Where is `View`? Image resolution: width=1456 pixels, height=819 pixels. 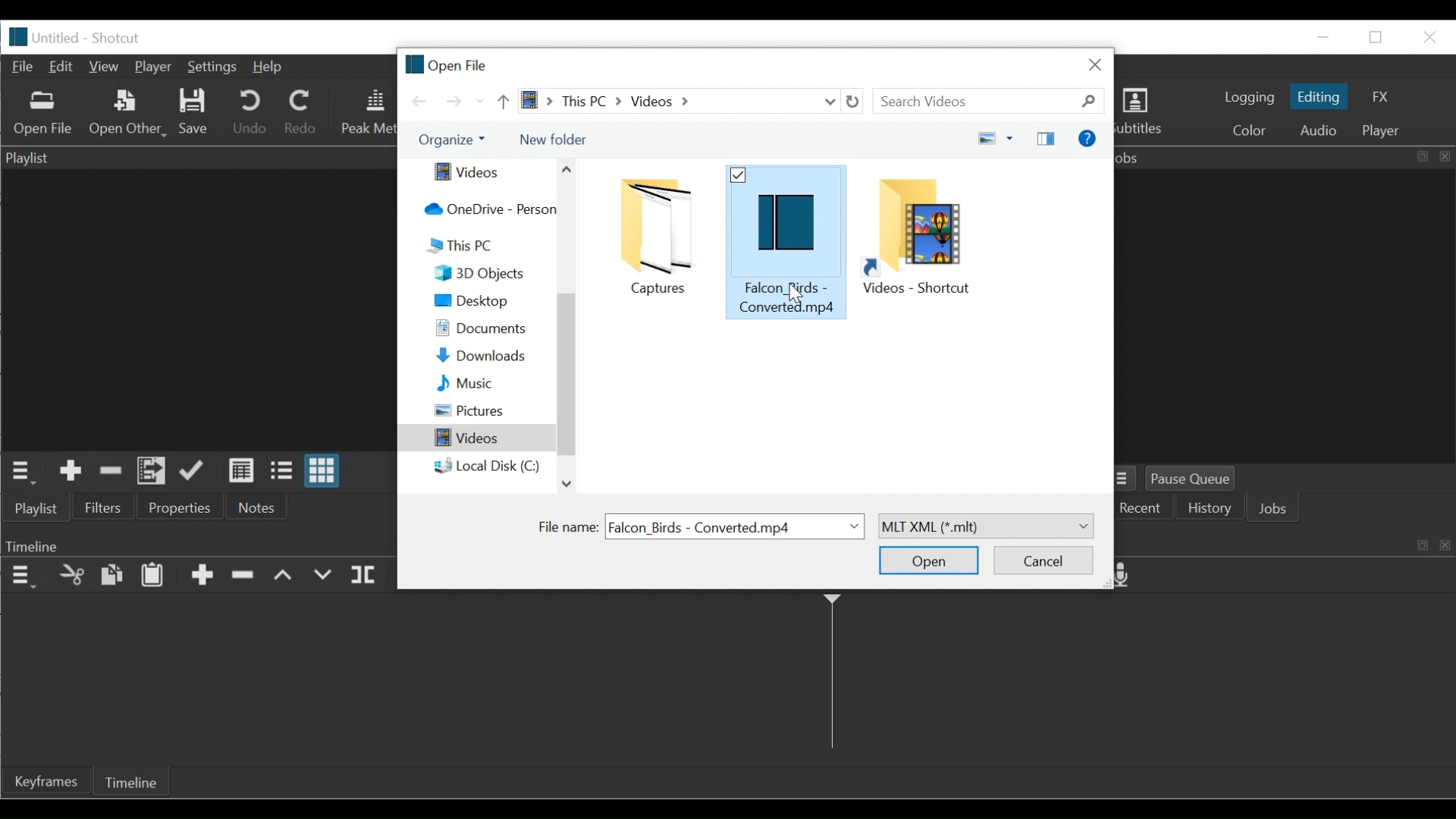 View is located at coordinates (106, 67).